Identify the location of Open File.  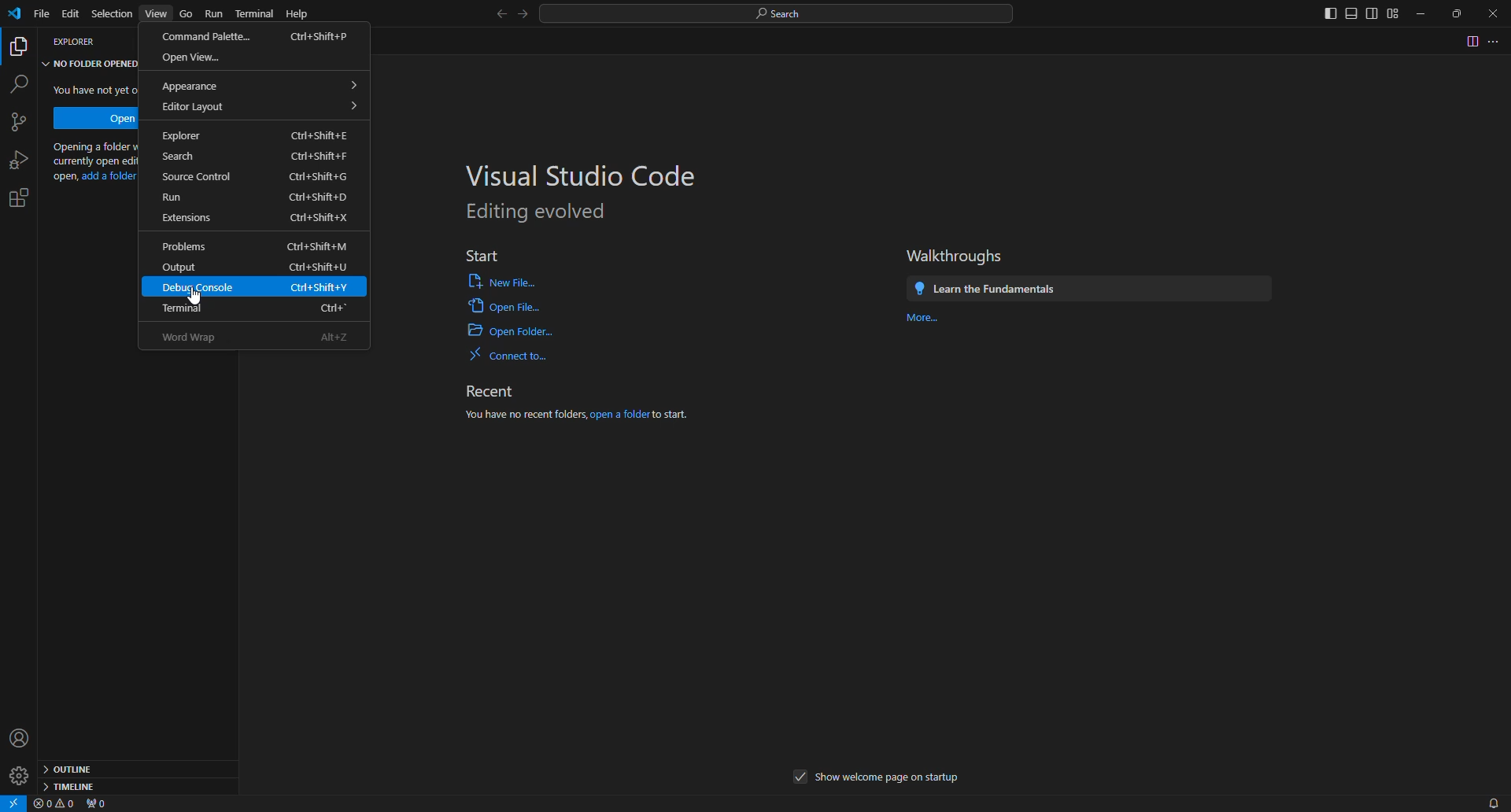
(504, 306).